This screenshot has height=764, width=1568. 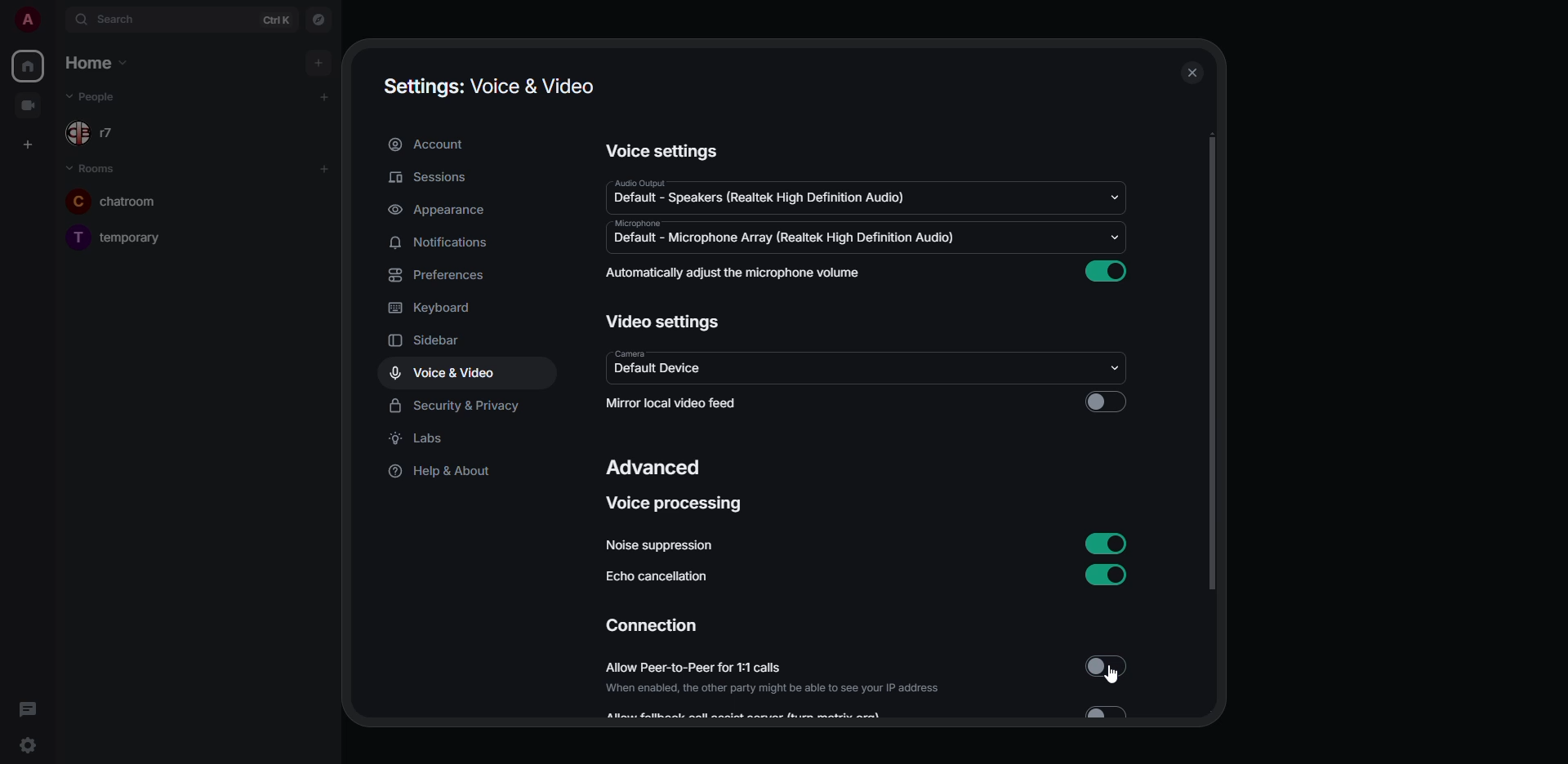 I want to click on sidebar, so click(x=432, y=340).